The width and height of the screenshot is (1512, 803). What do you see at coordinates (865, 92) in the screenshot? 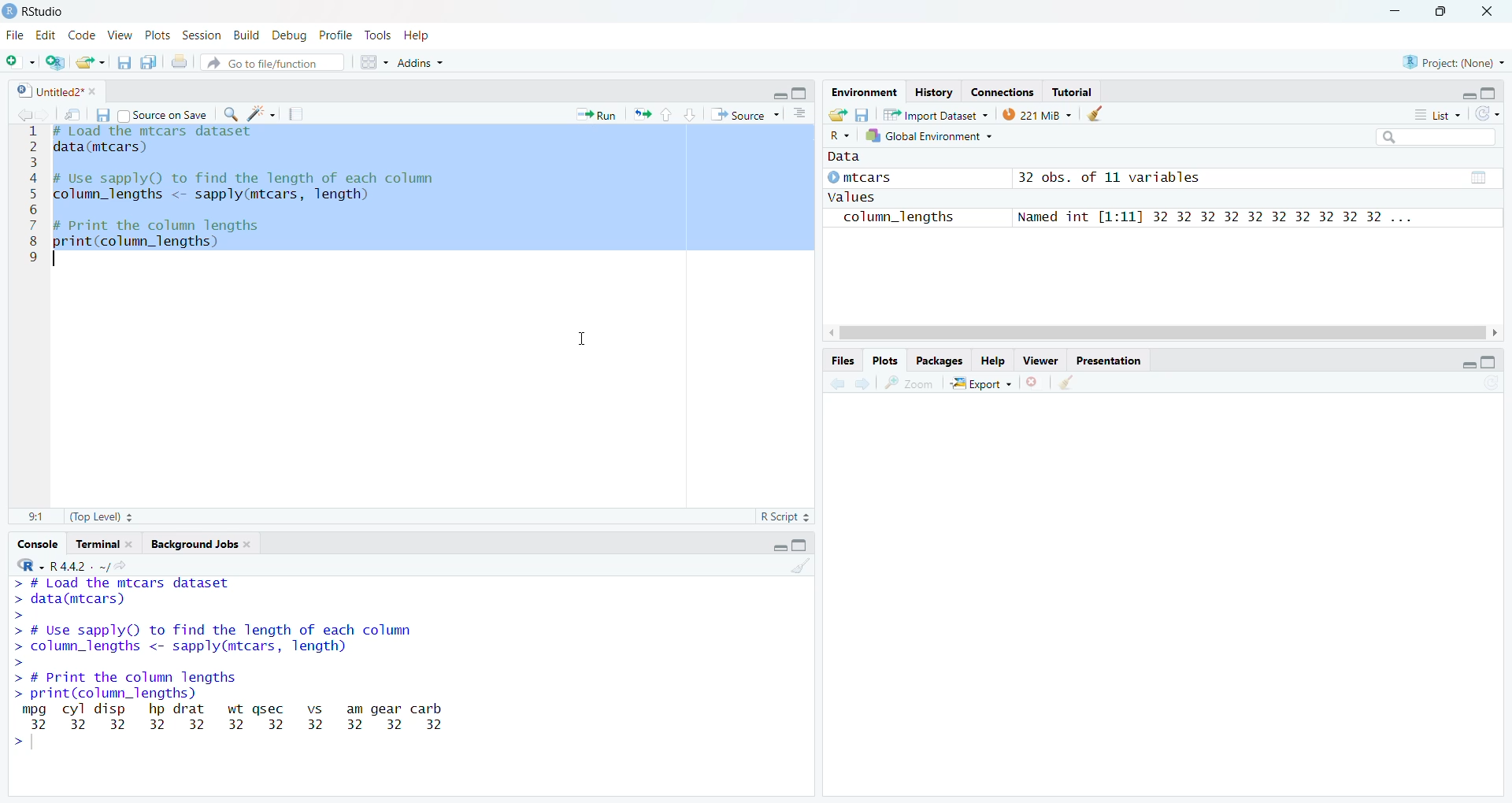
I see `Environment` at bounding box center [865, 92].